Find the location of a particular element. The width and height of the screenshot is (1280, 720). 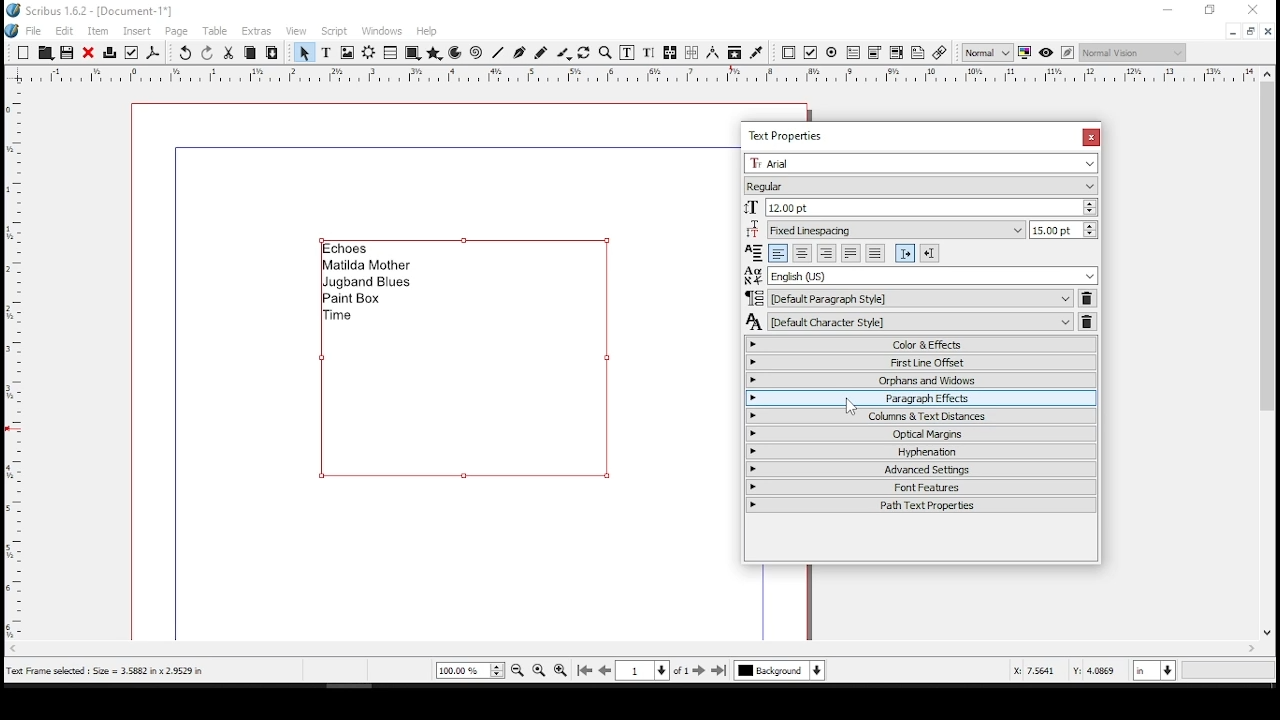

 is located at coordinates (755, 252).